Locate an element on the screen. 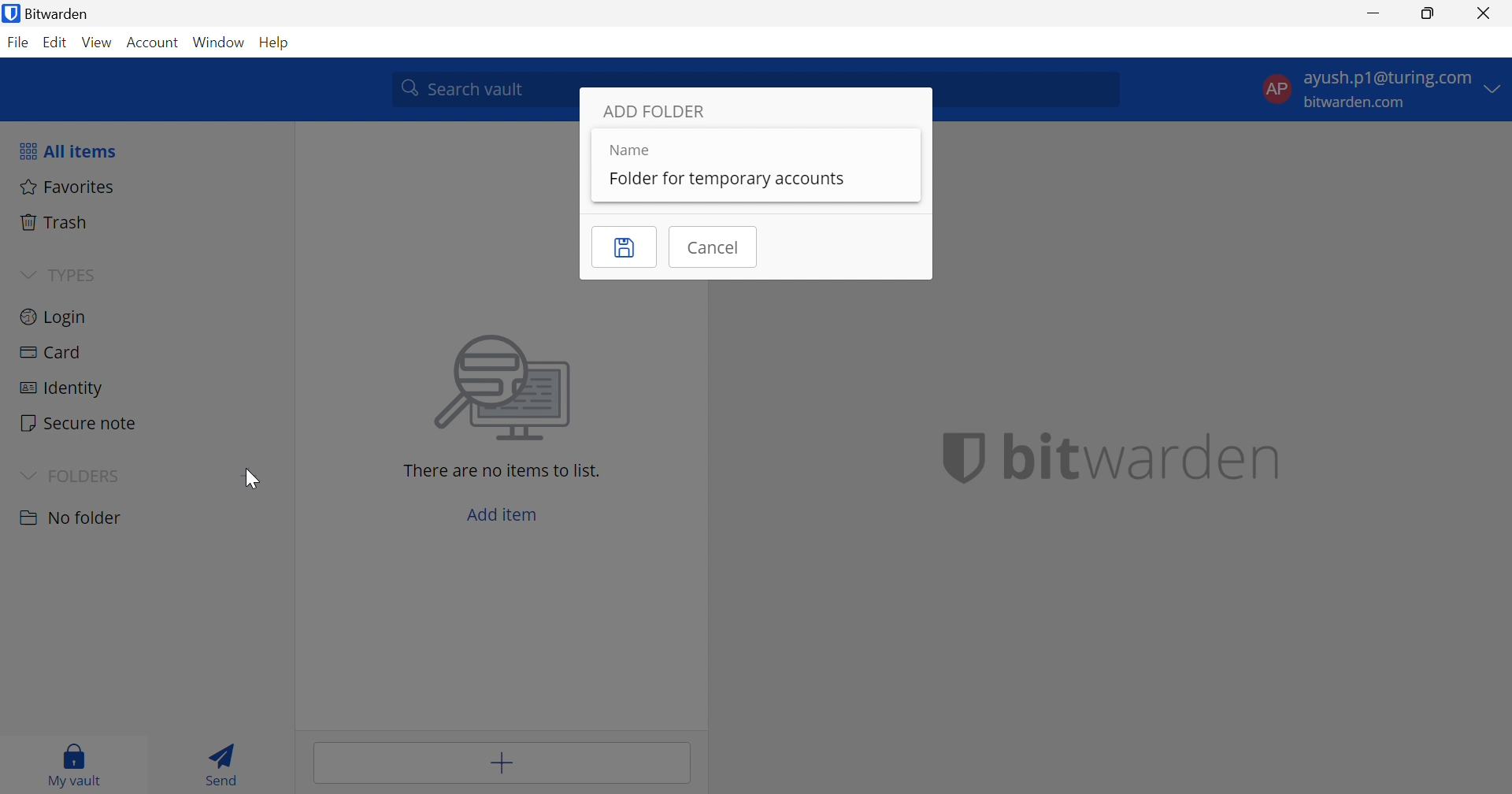 This screenshot has width=1512, height=794. Identity is located at coordinates (62, 389).